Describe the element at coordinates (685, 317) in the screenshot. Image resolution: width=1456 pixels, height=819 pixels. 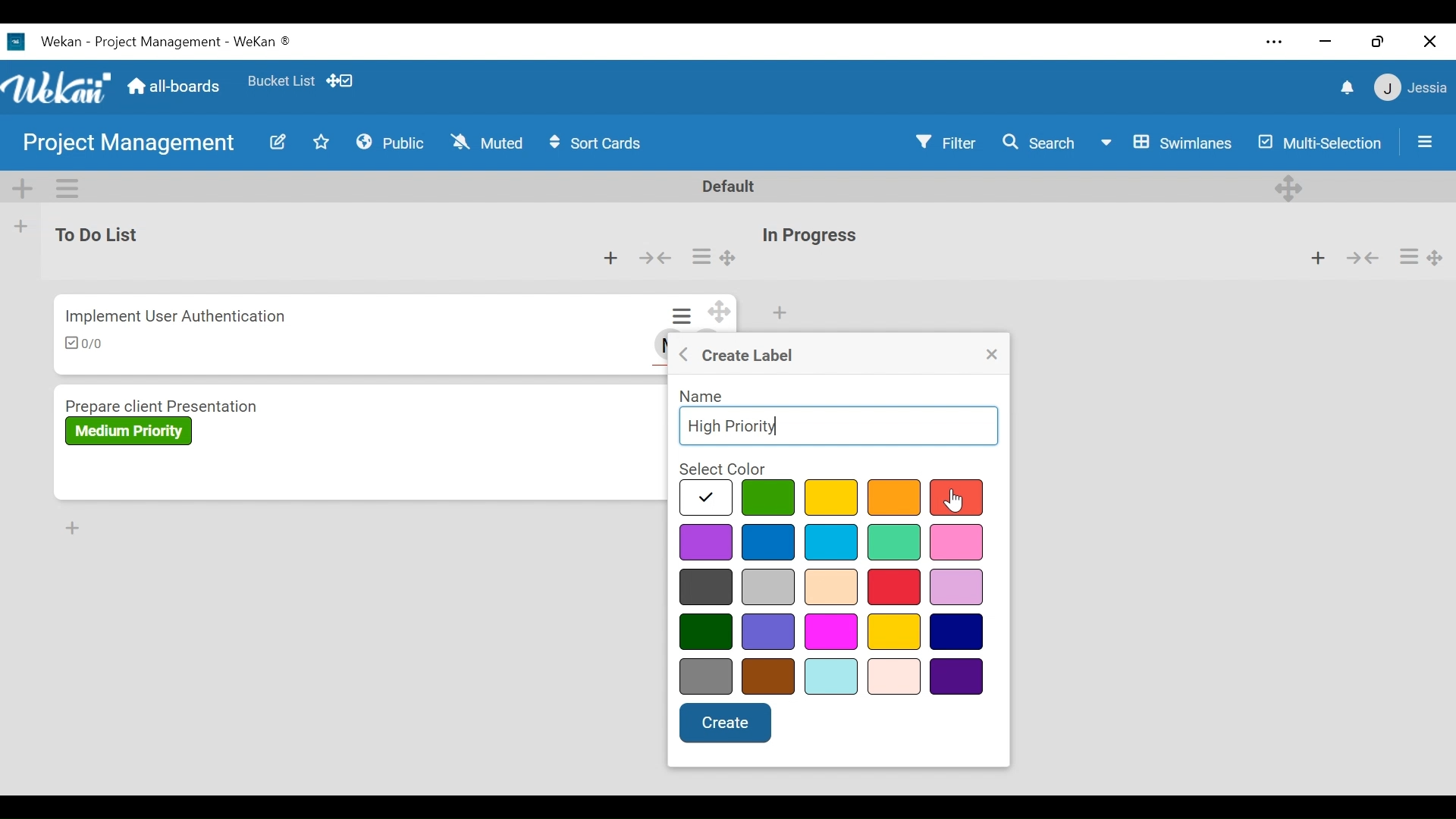
I see `Card actions` at that location.